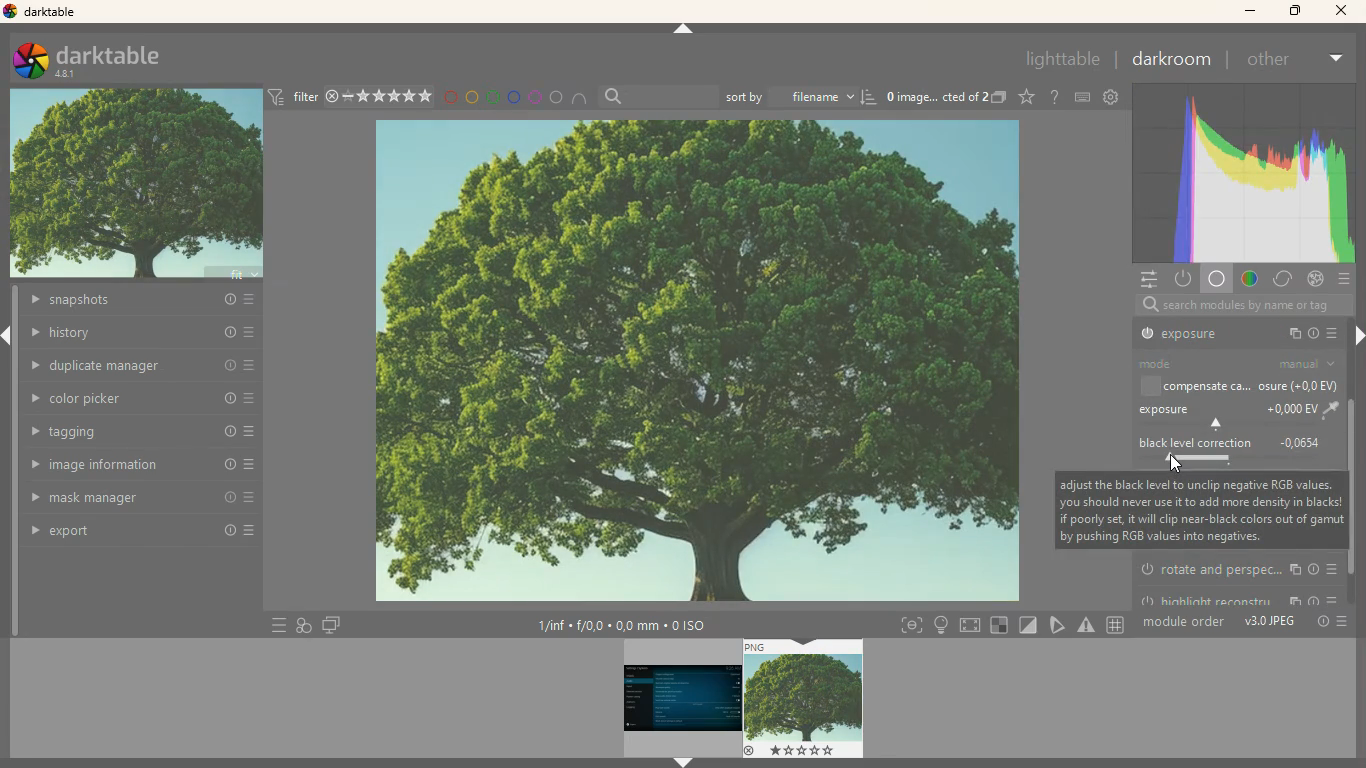 This screenshot has height=768, width=1366. What do you see at coordinates (1026, 98) in the screenshot?
I see `` at bounding box center [1026, 98].